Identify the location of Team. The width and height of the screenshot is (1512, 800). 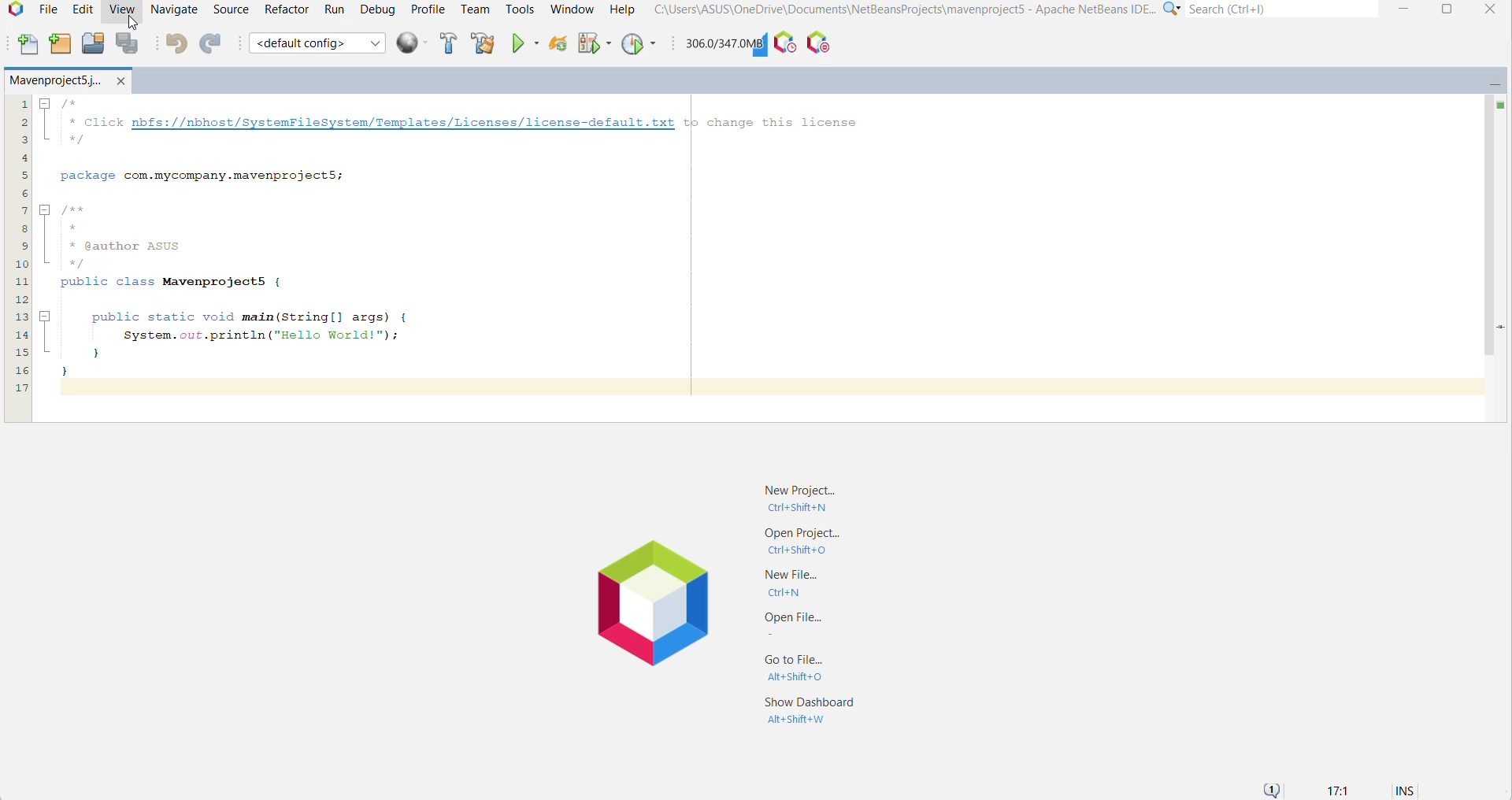
(476, 9).